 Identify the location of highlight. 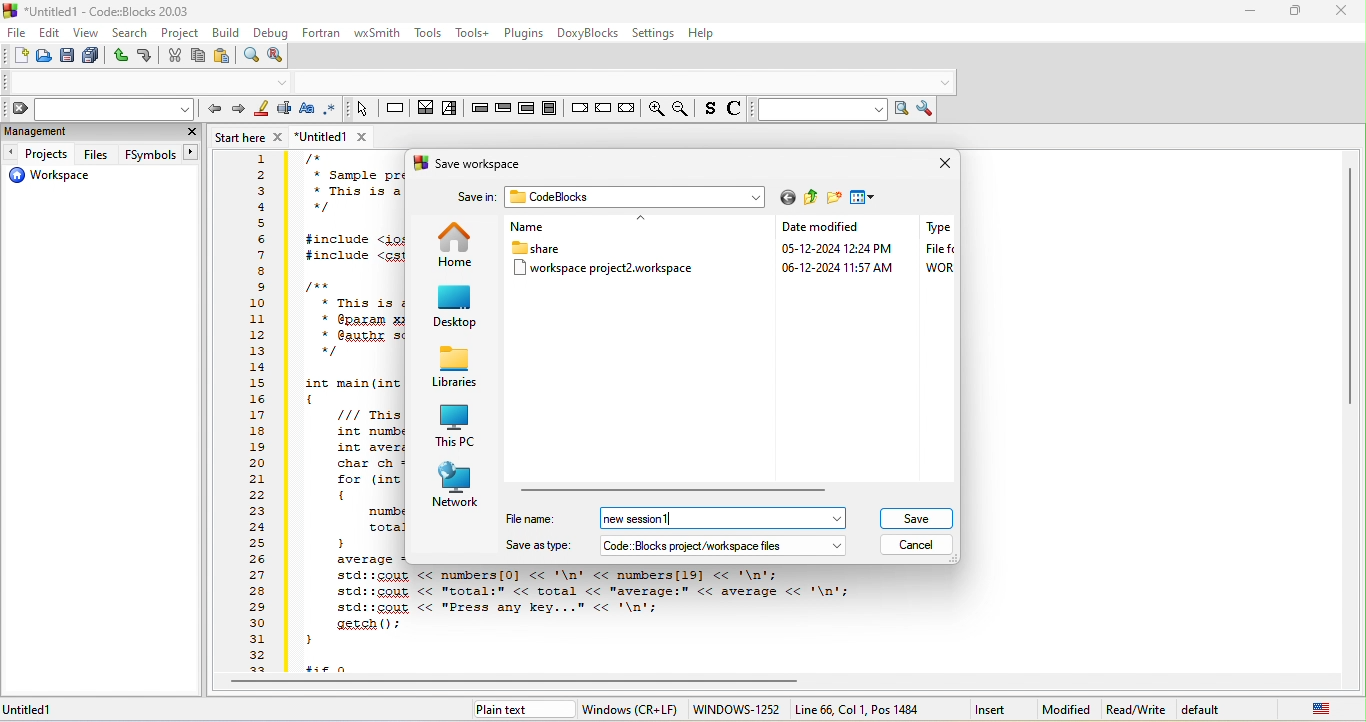
(261, 111).